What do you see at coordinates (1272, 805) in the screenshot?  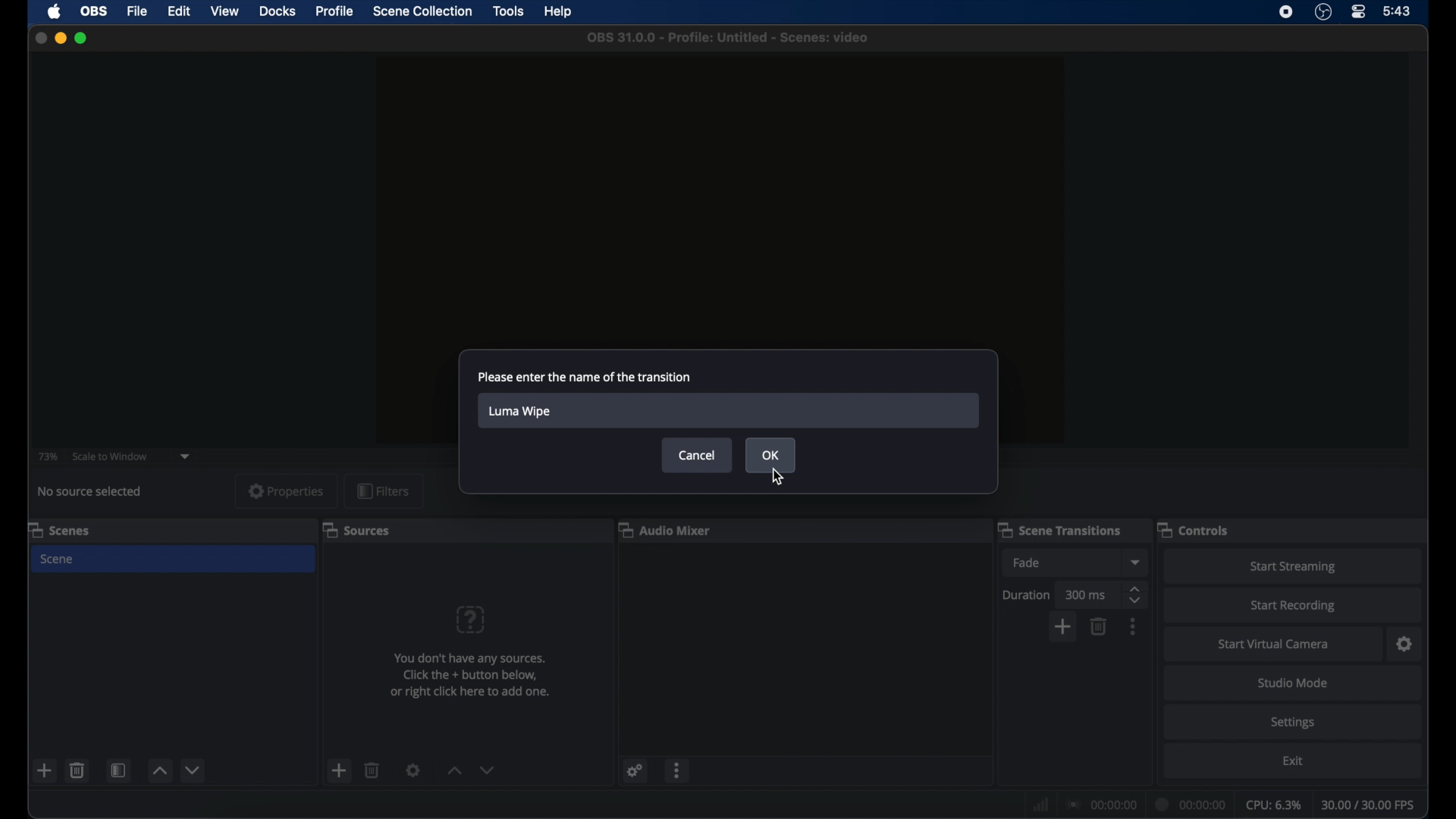 I see `cpu` at bounding box center [1272, 805].